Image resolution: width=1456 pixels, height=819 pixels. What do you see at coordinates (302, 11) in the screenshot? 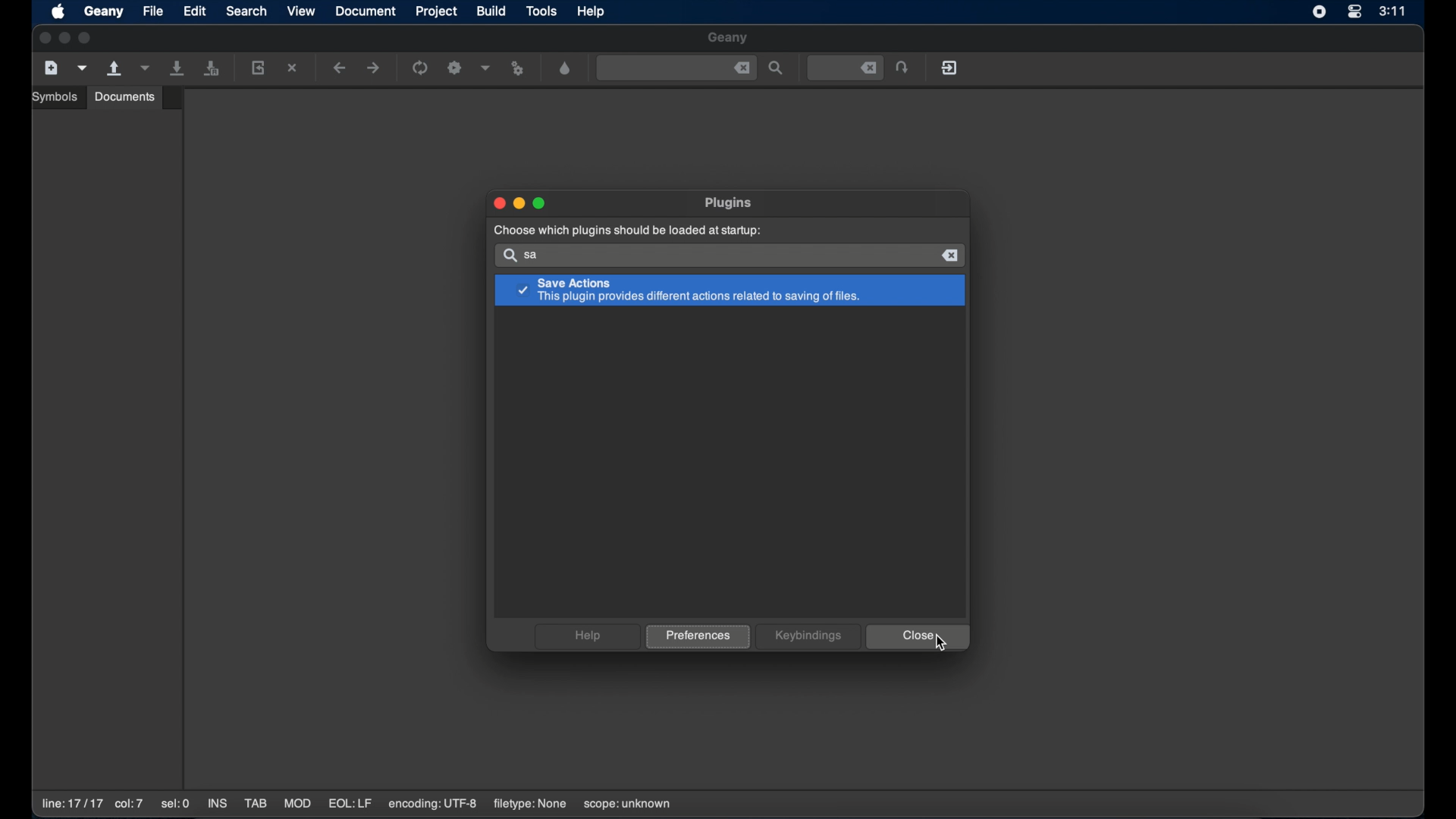
I see `view` at bounding box center [302, 11].